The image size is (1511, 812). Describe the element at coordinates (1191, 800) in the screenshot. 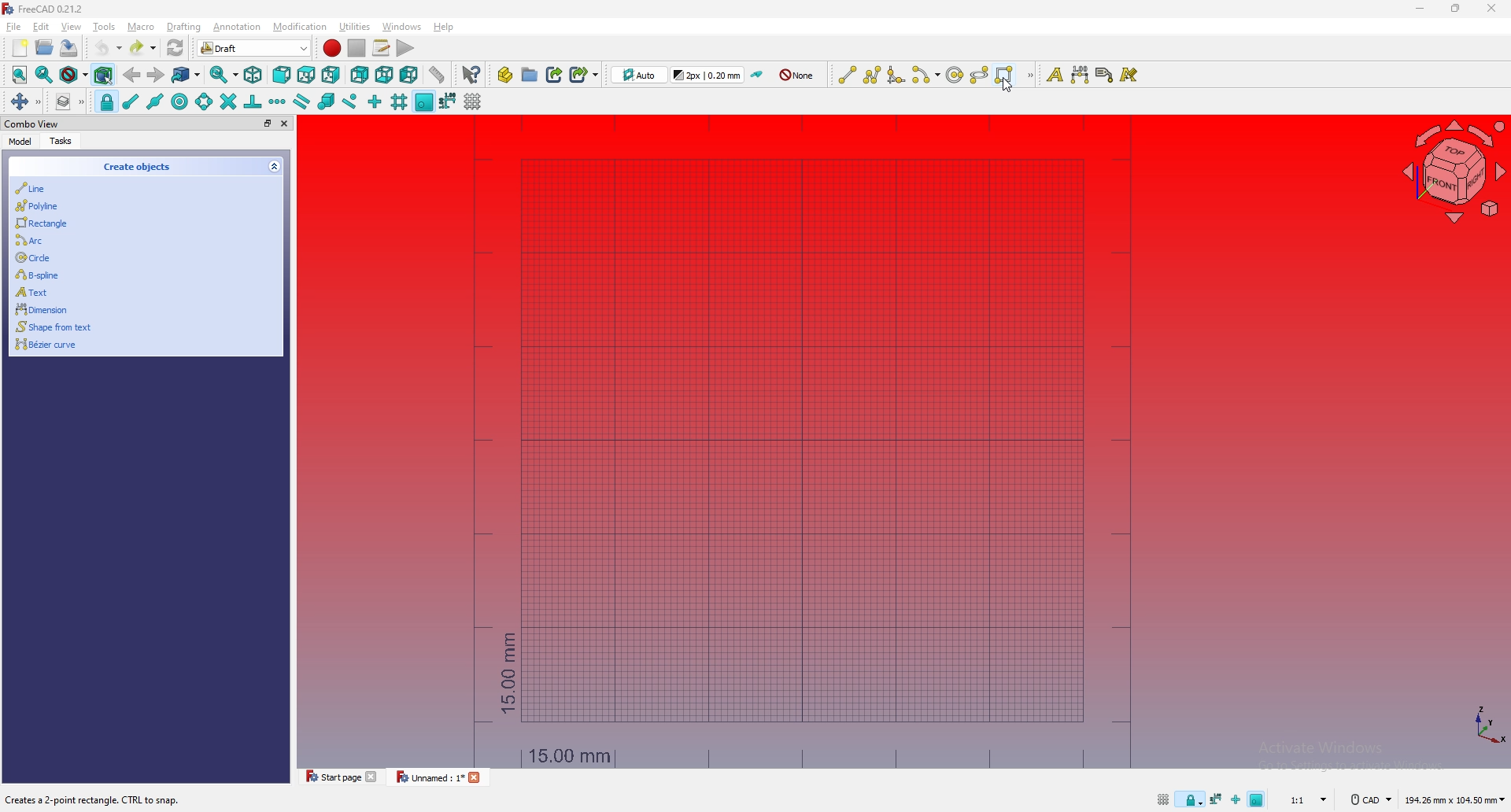

I see `snap lock` at that location.